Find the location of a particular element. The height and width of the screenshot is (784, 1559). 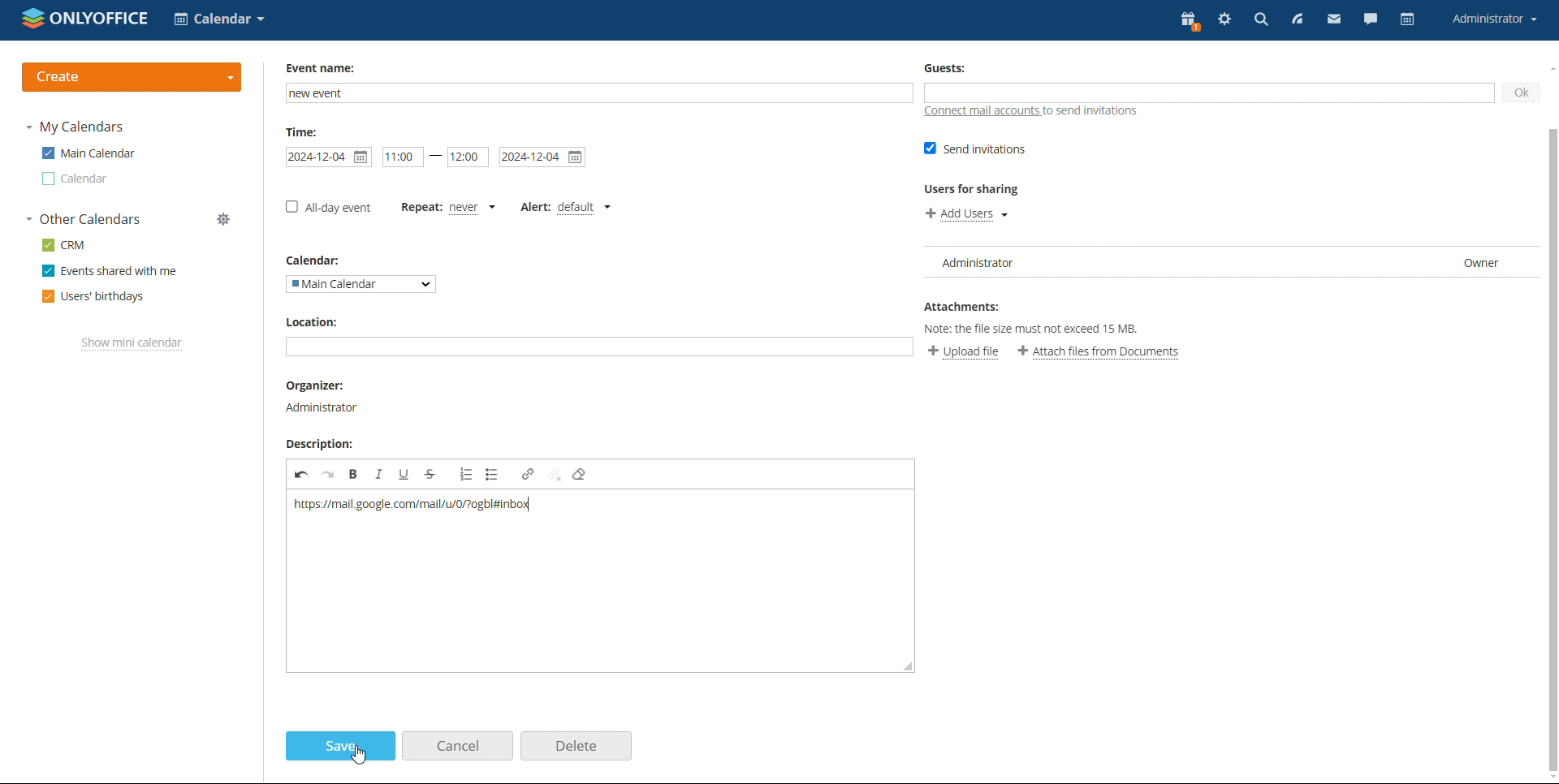

settings is located at coordinates (1223, 21).